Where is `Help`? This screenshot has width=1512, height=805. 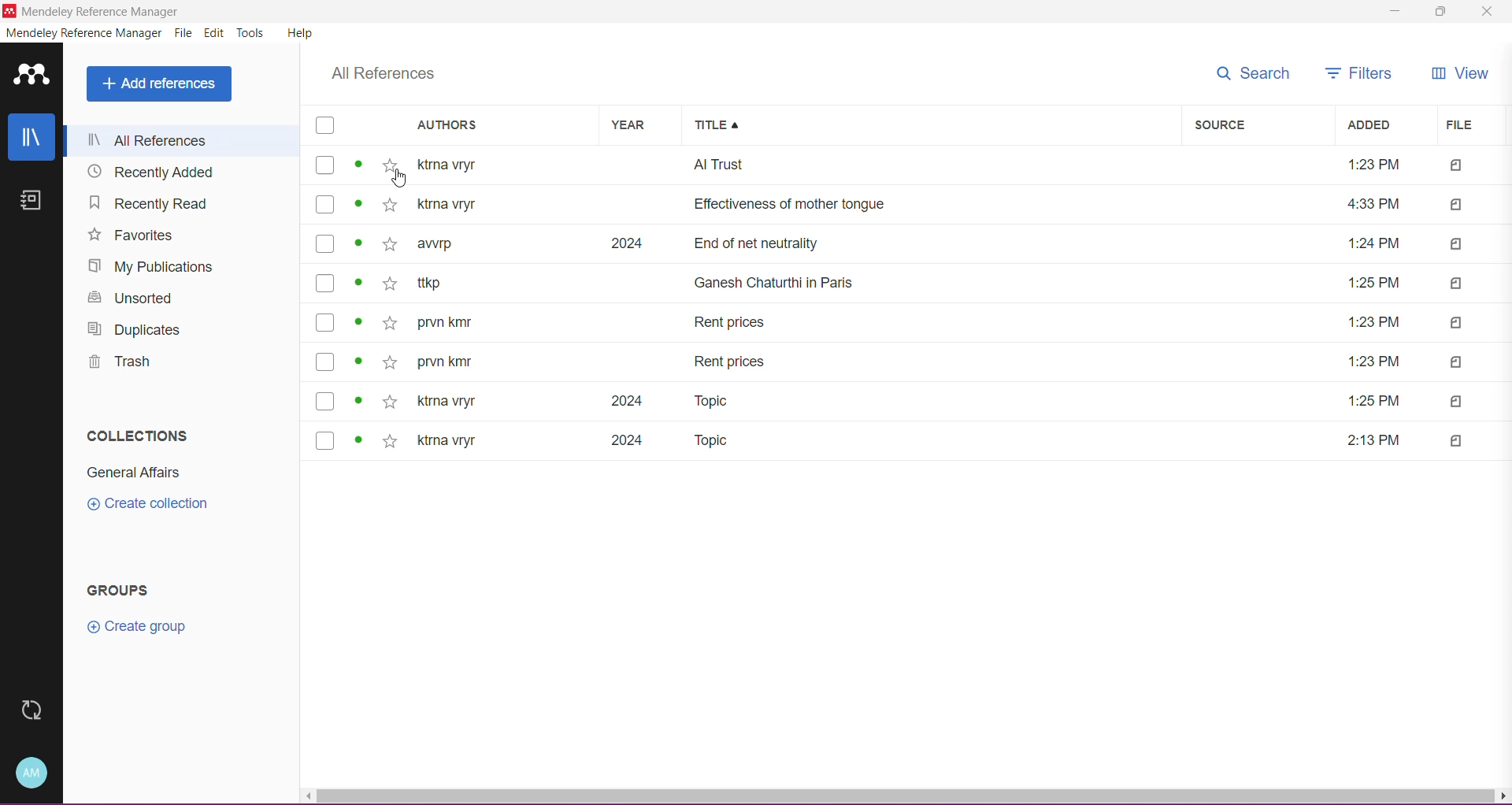 Help is located at coordinates (300, 34).